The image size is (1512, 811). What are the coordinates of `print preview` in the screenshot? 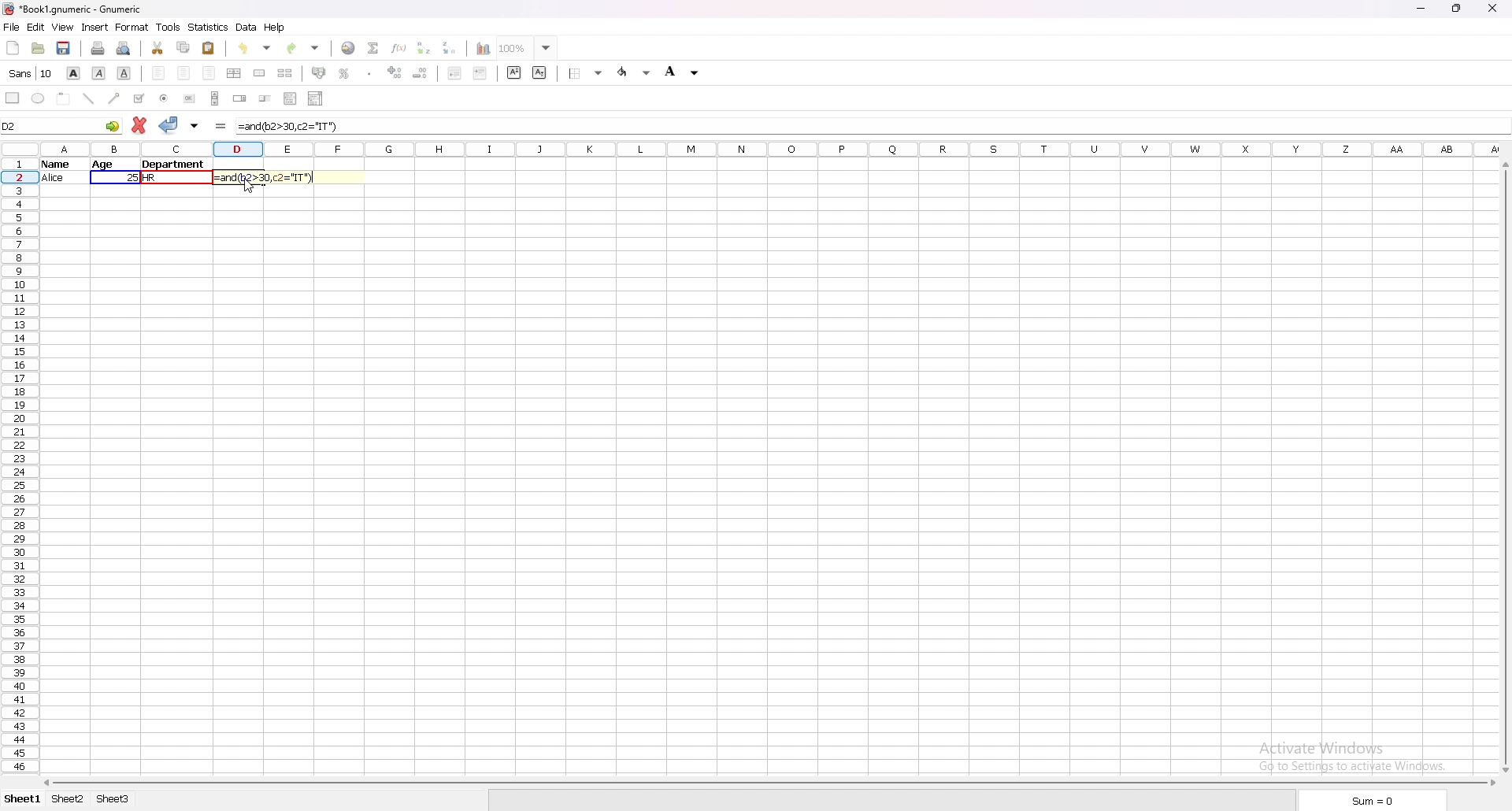 It's located at (125, 48).